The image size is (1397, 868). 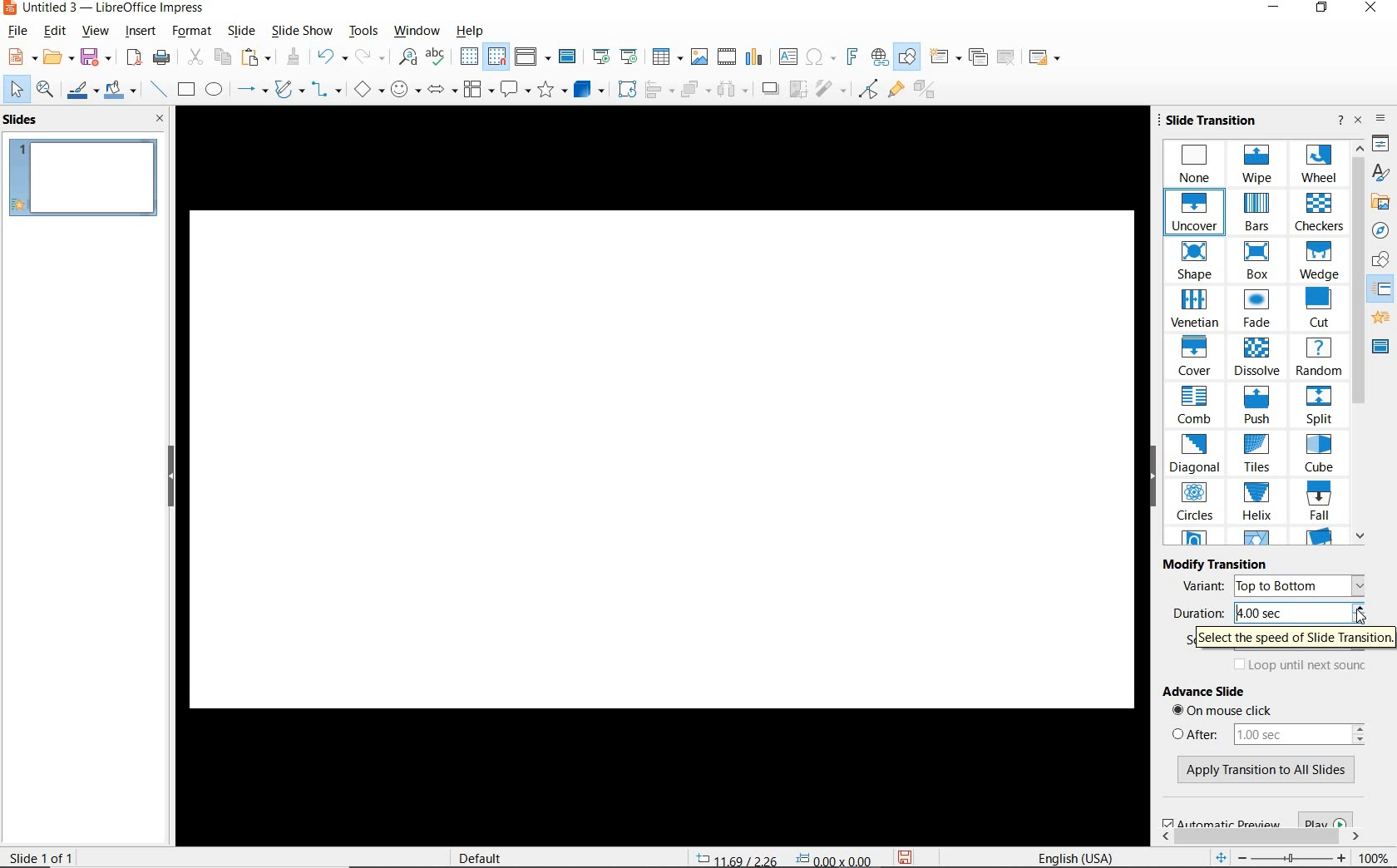 What do you see at coordinates (550, 90) in the screenshot?
I see `STARS AND BANNERS` at bounding box center [550, 90].